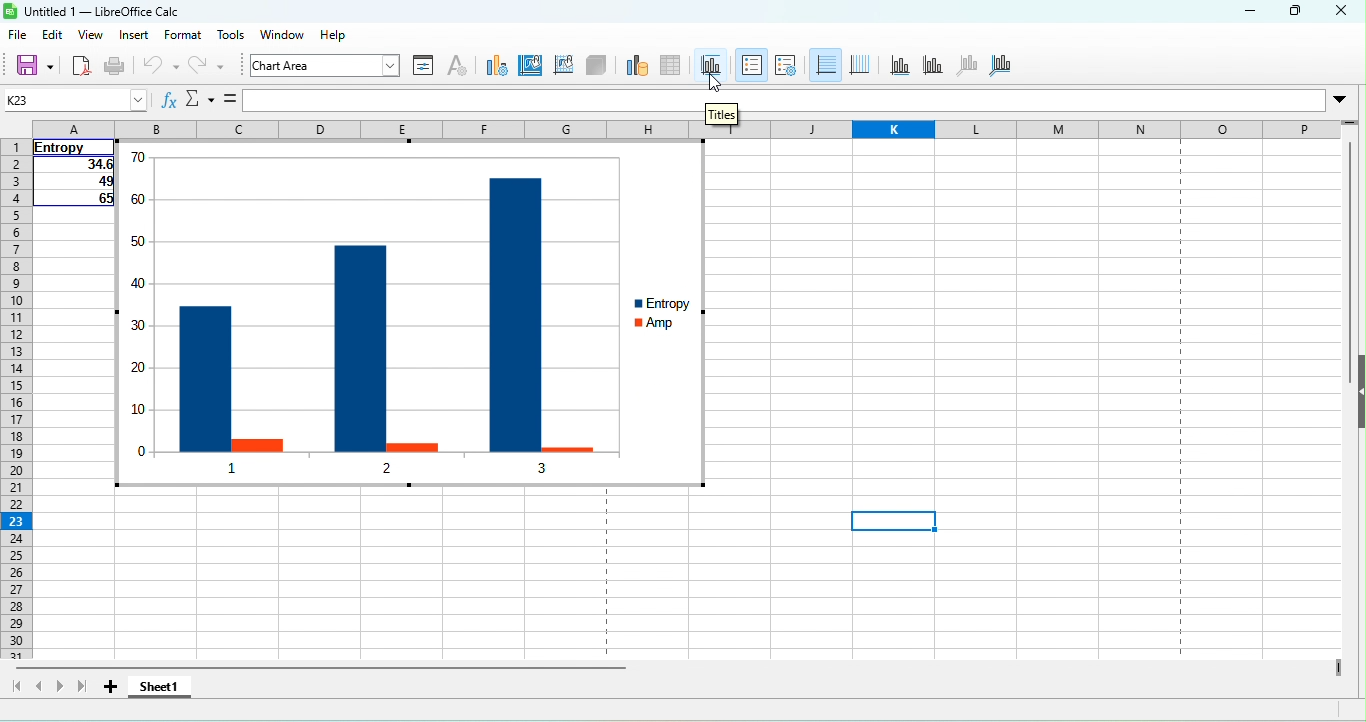 This screenshot has width=1366, height=722. What do you see at coordinates (565, 69) in the screenshot?
I see `chart wall` at bounding box center [565, 69].